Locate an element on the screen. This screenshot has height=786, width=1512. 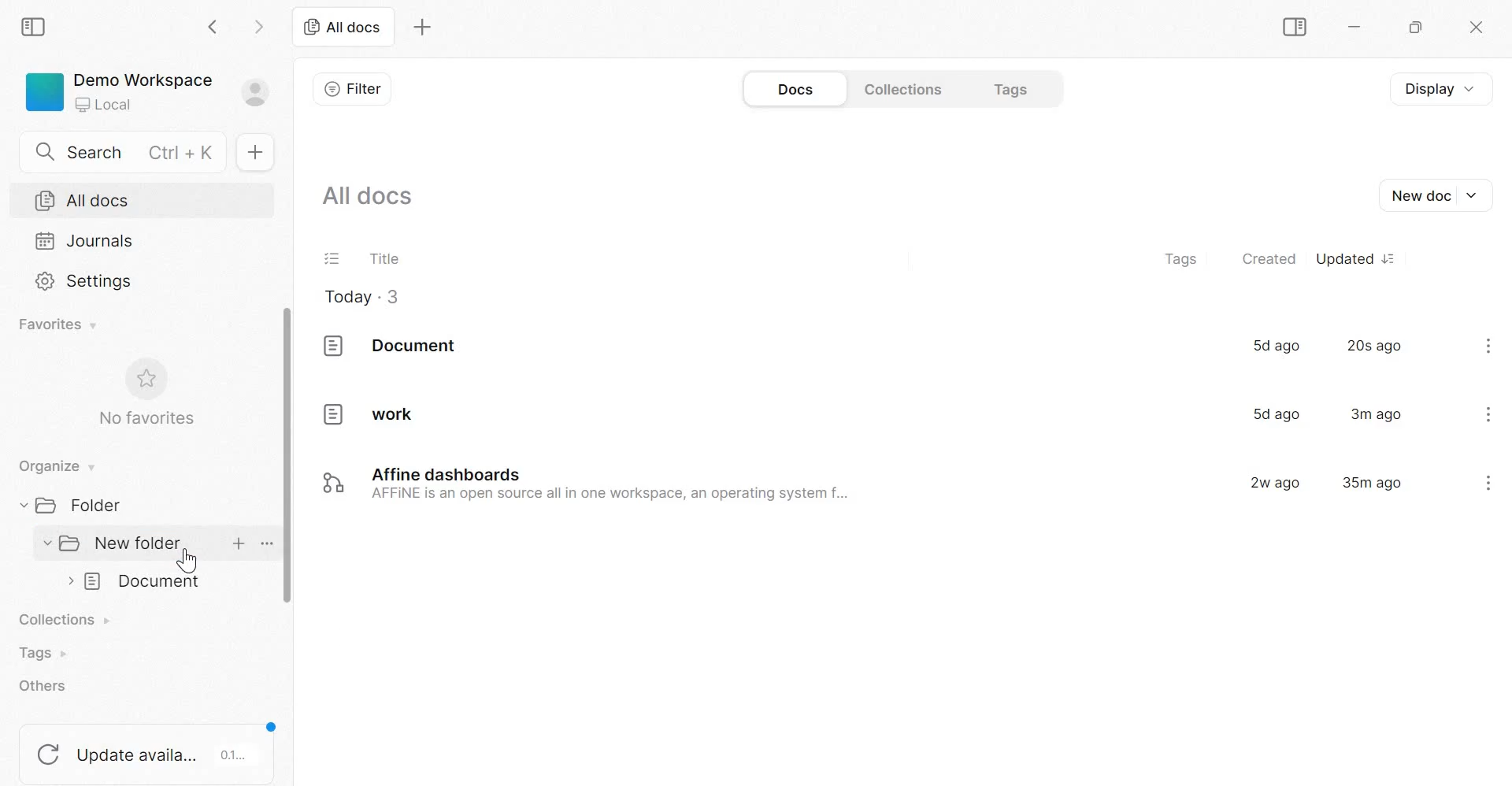
Affine dashboards is located at coordinates (619, 484).